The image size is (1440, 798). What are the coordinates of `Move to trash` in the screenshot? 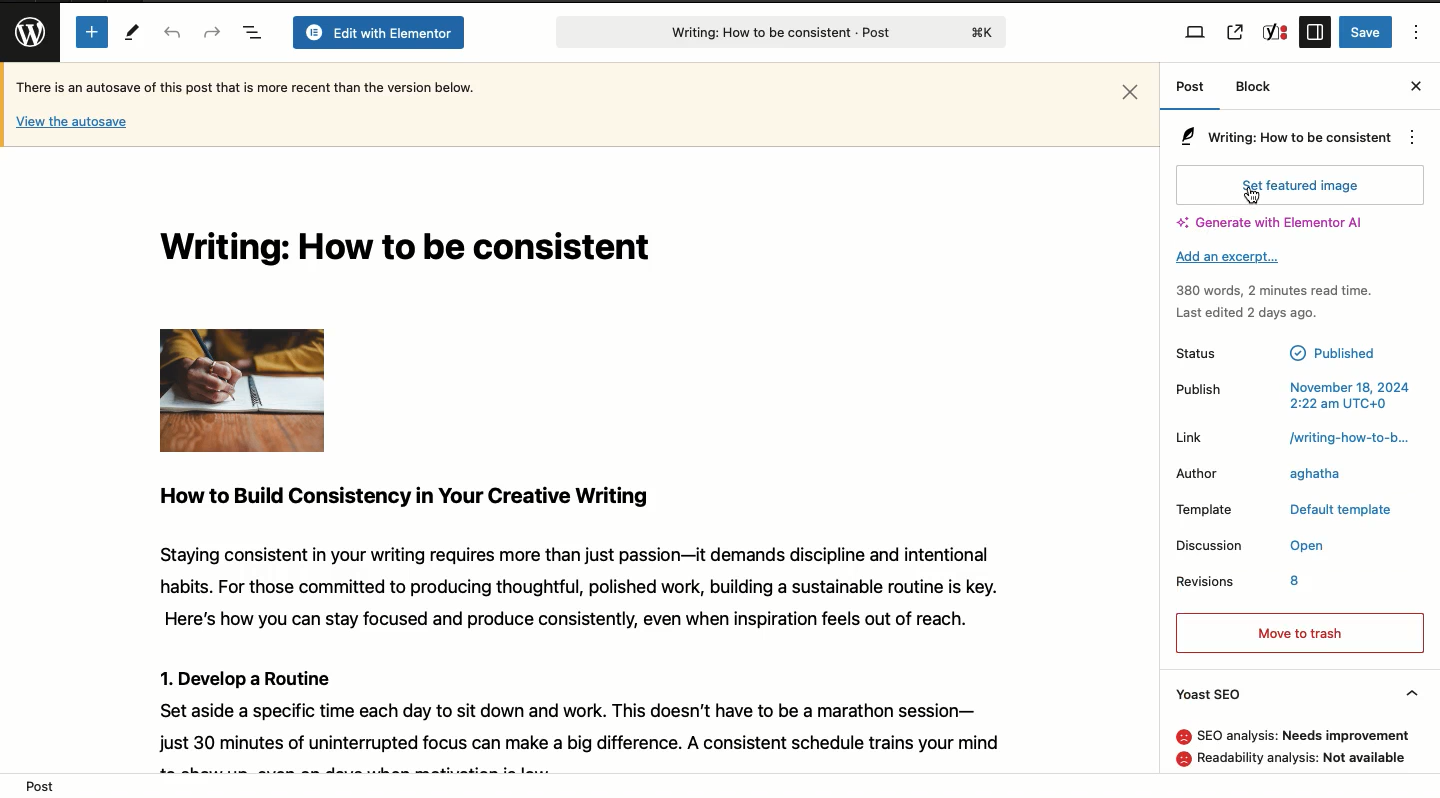 It's located at (1300, 633).